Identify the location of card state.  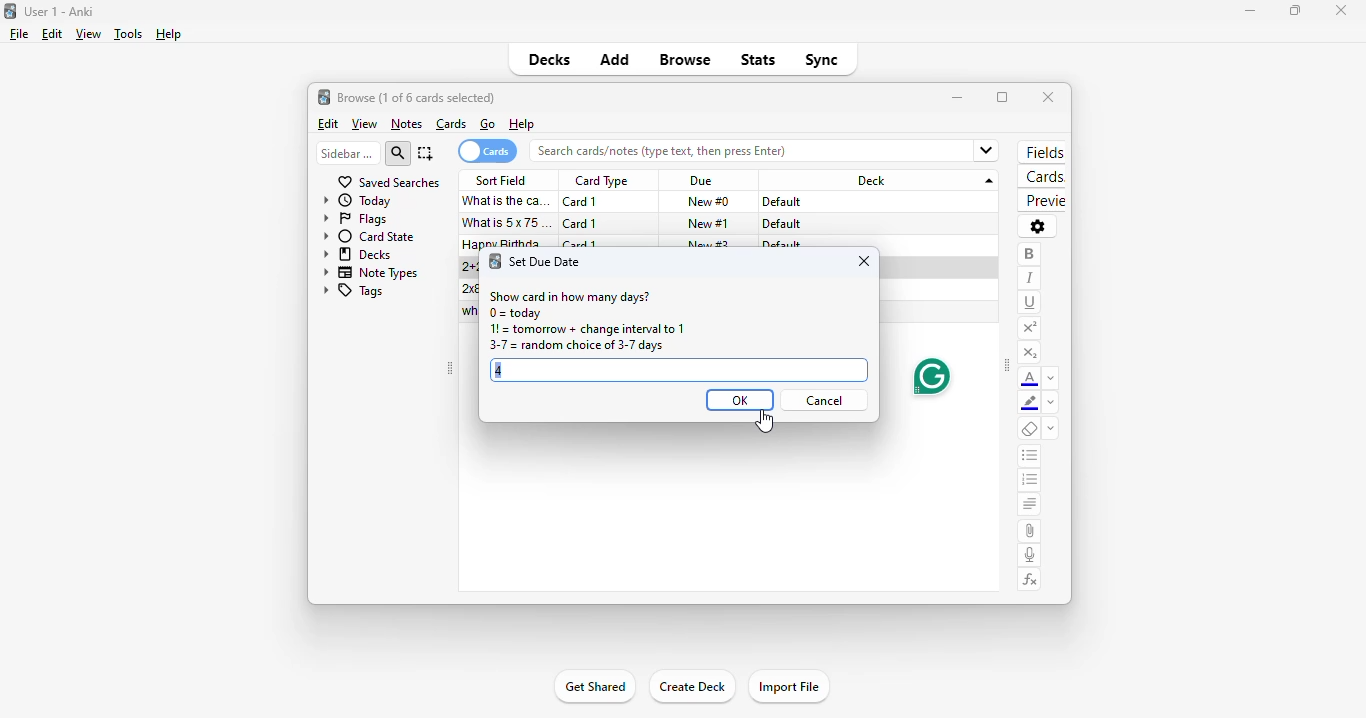
(369, 236).